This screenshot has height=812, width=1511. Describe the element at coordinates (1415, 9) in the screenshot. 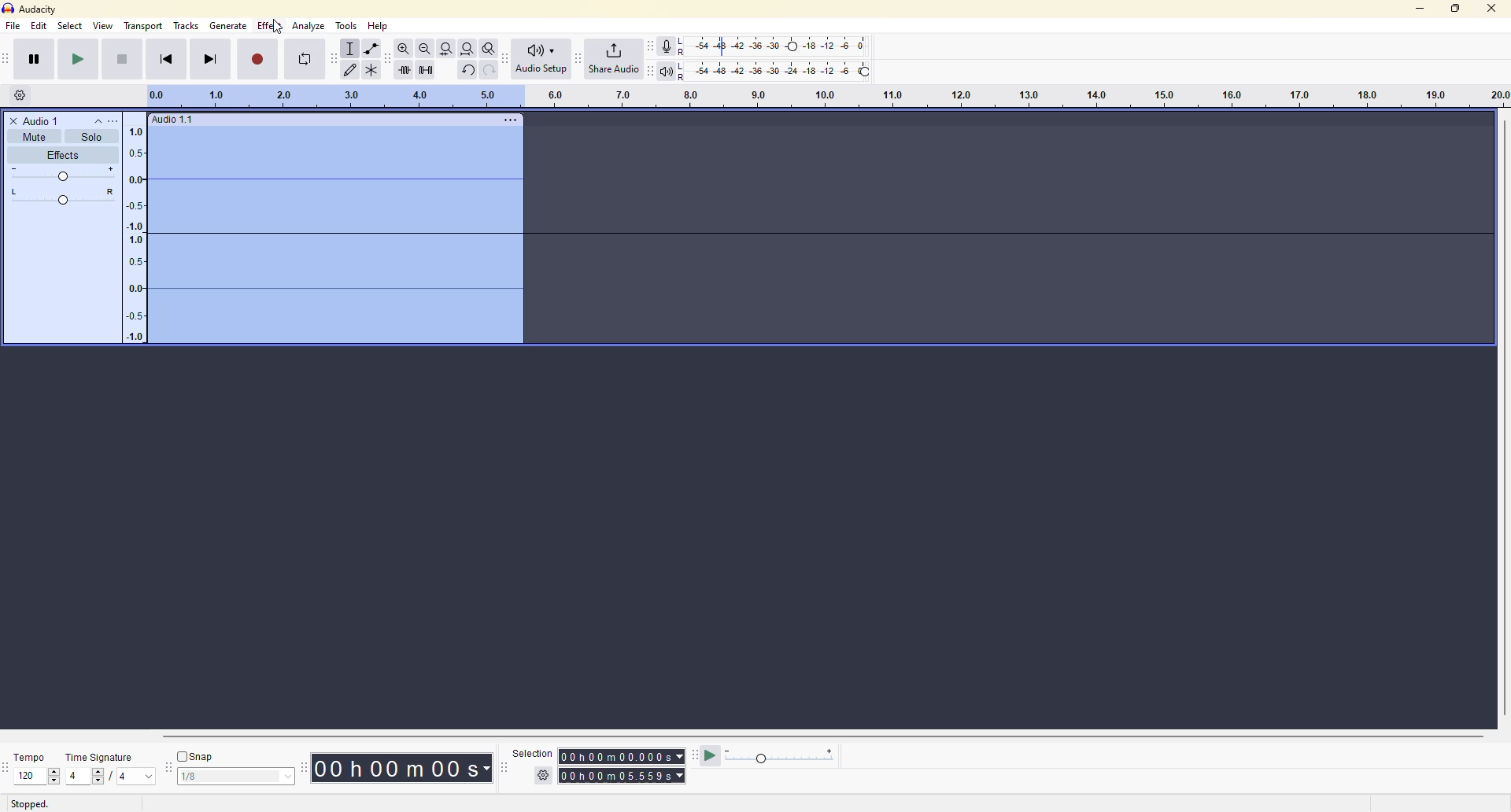

I see `minimize` at that location.